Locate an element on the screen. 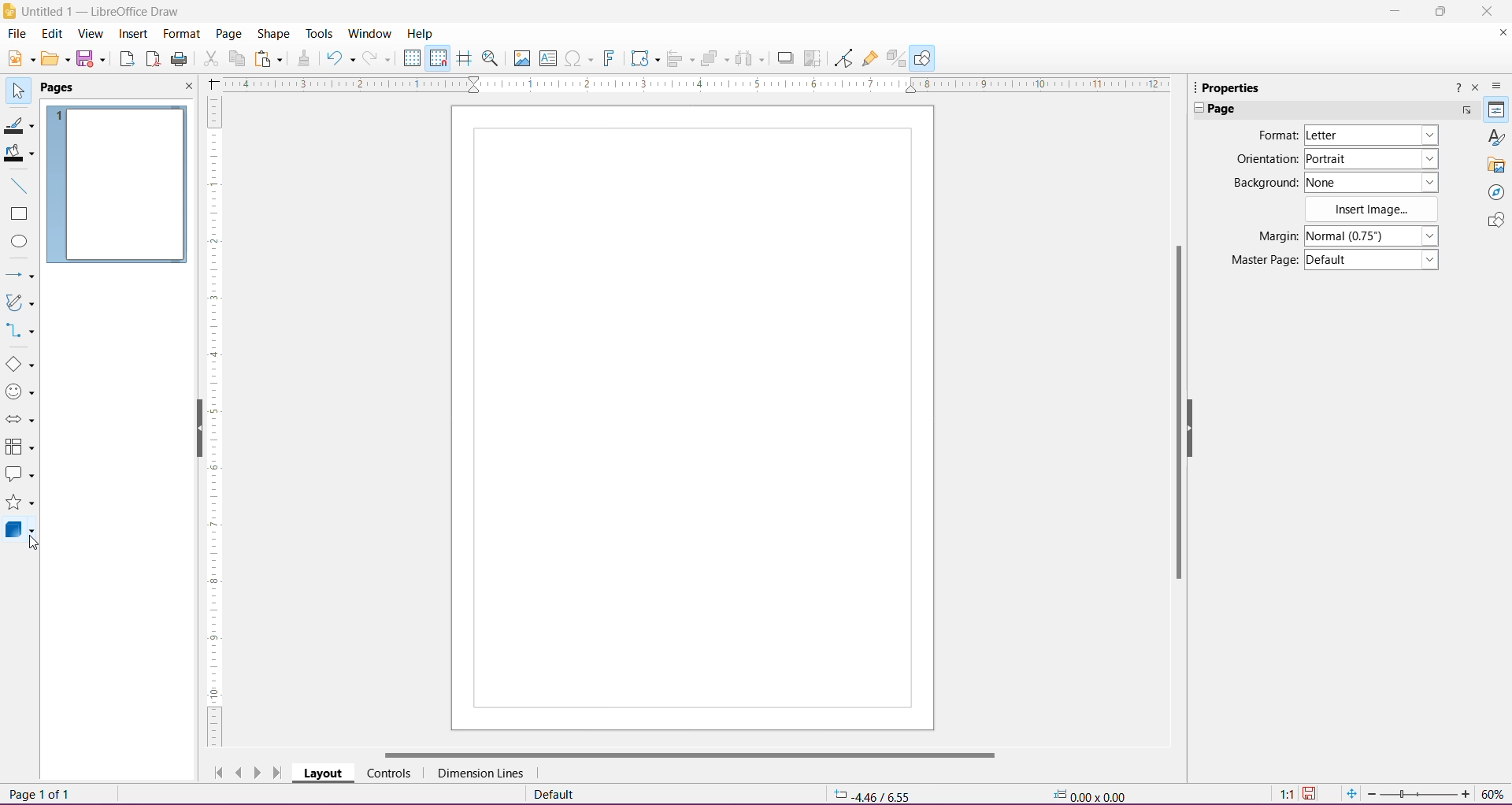 The image size is (1512, 805). Zoom and Pan is located at coordinates (492, 61).